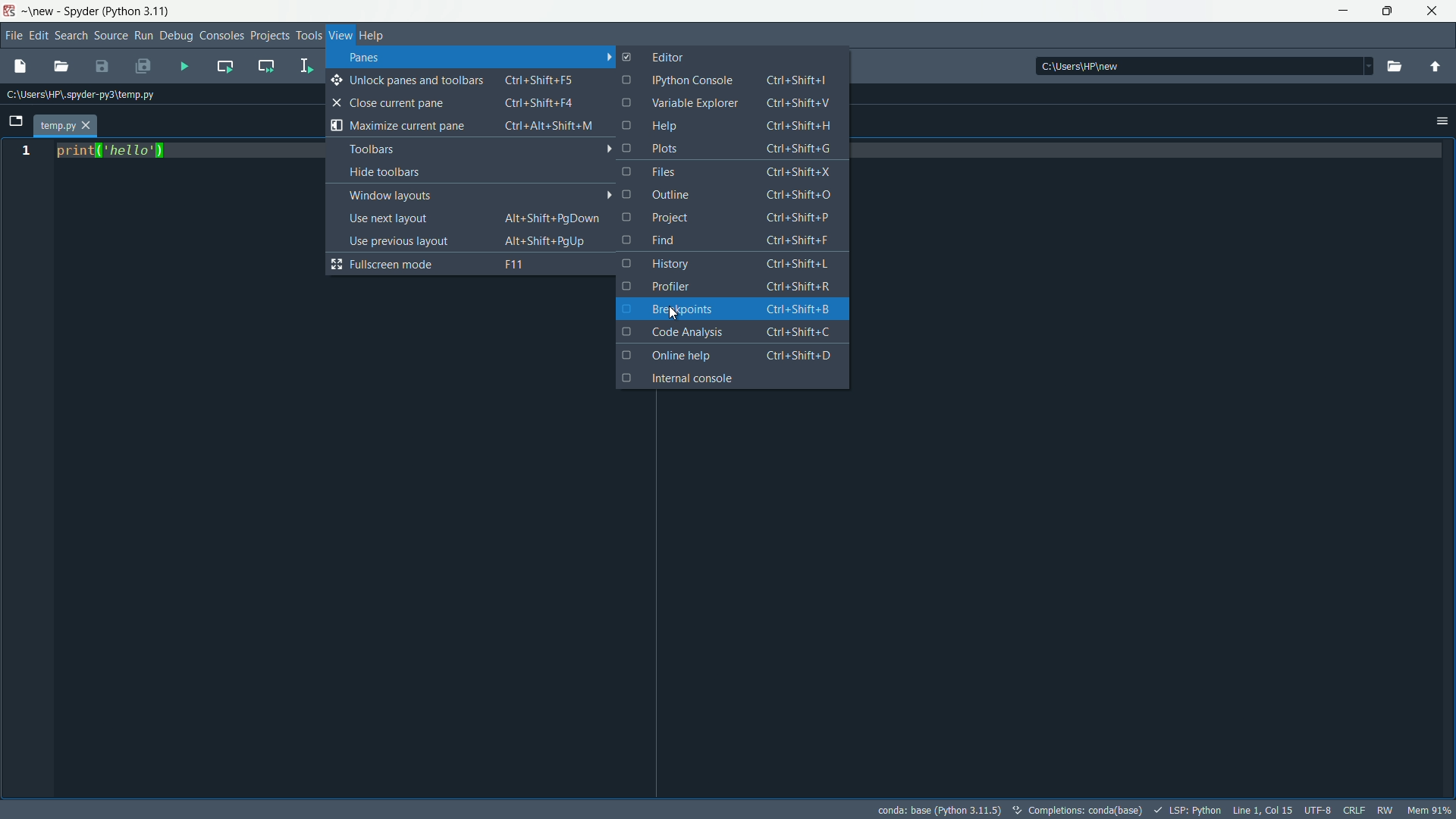 The image size is (1456, 819). I want to click on rw, so click(1385, 810).